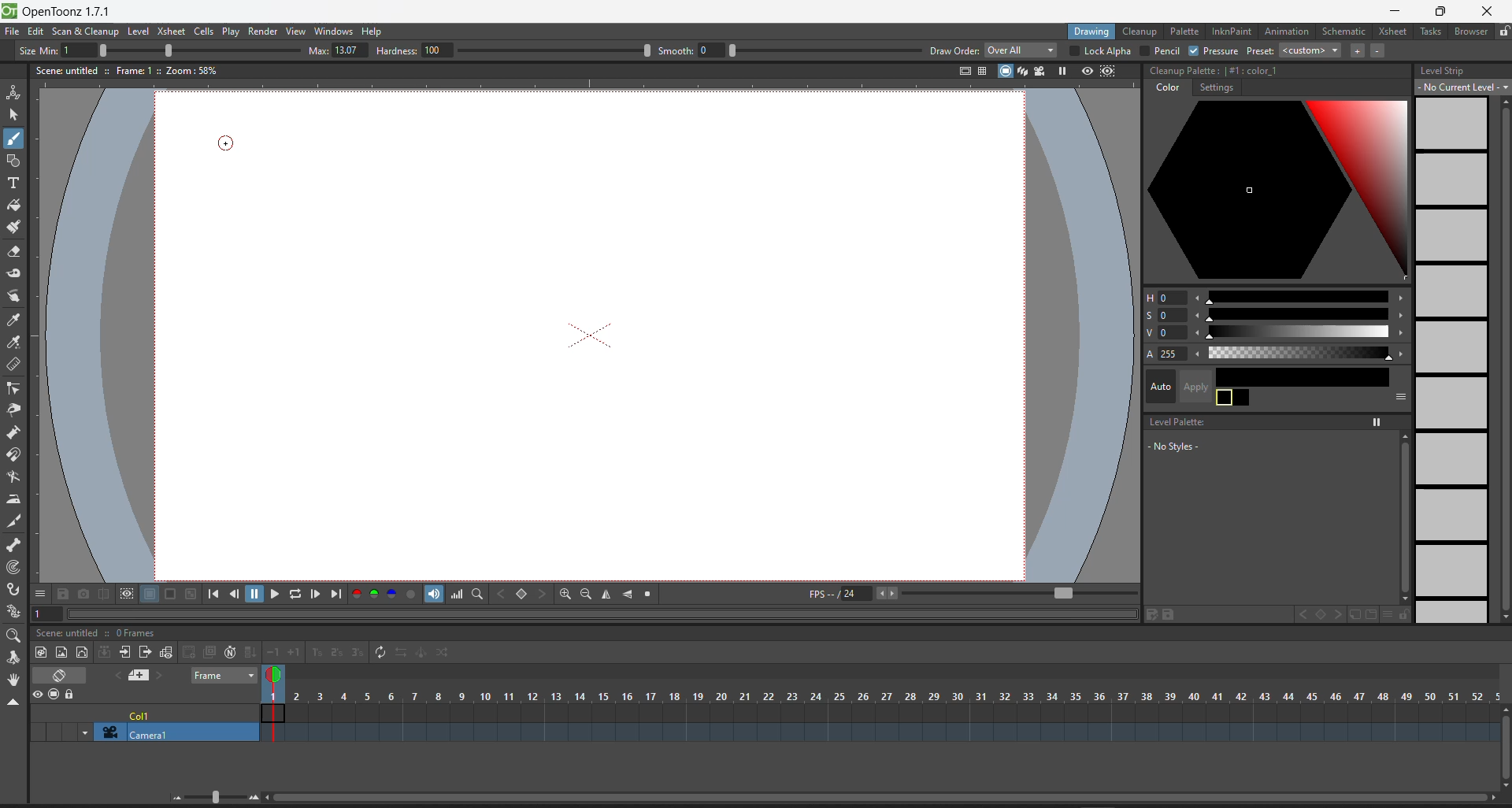  I want to click on cleanup palette, so click(1277, 191).